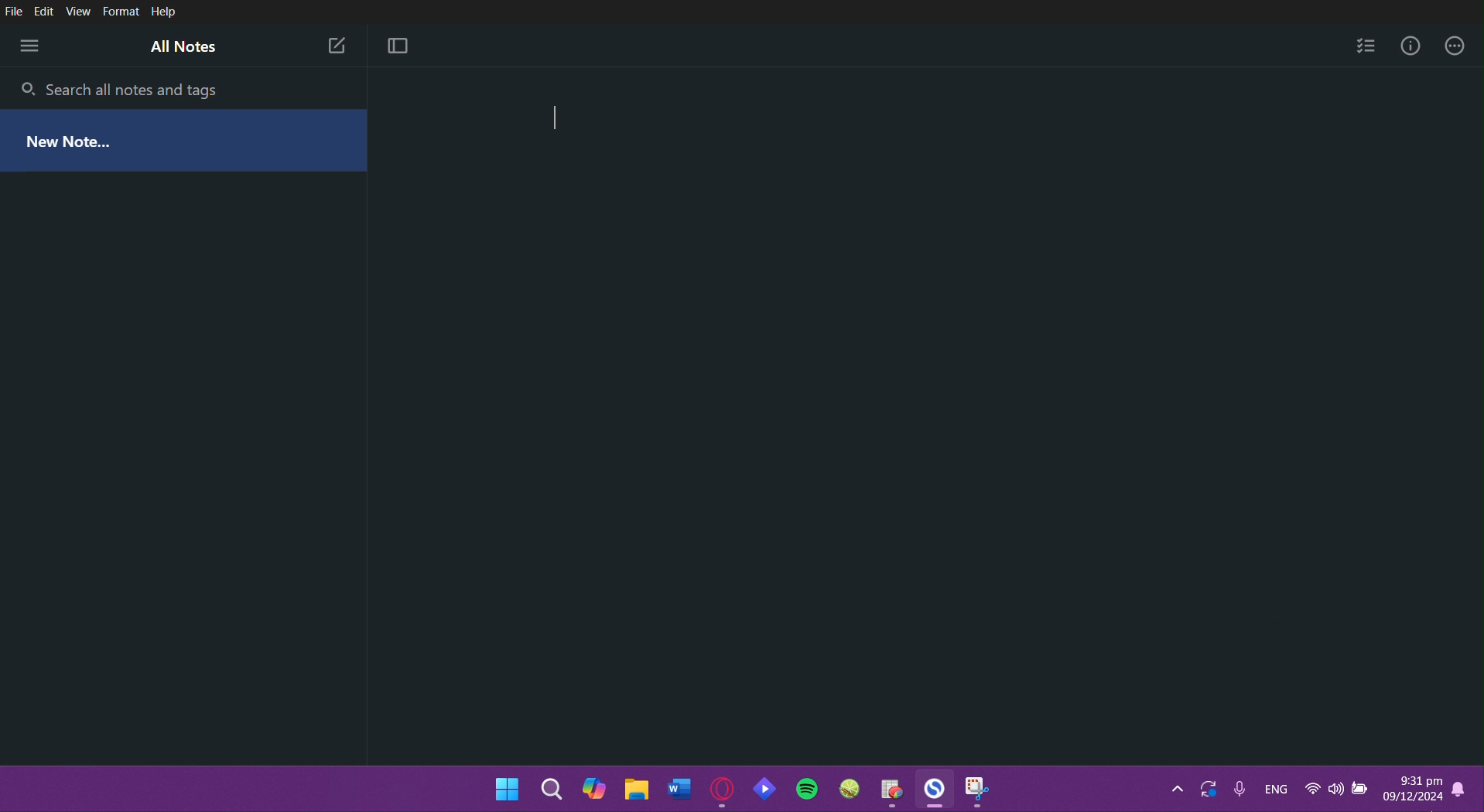 The image size is (1484, 812). Describe the element at coordinates (184, 48) in the screenshot. I see `All Notes` at that location.